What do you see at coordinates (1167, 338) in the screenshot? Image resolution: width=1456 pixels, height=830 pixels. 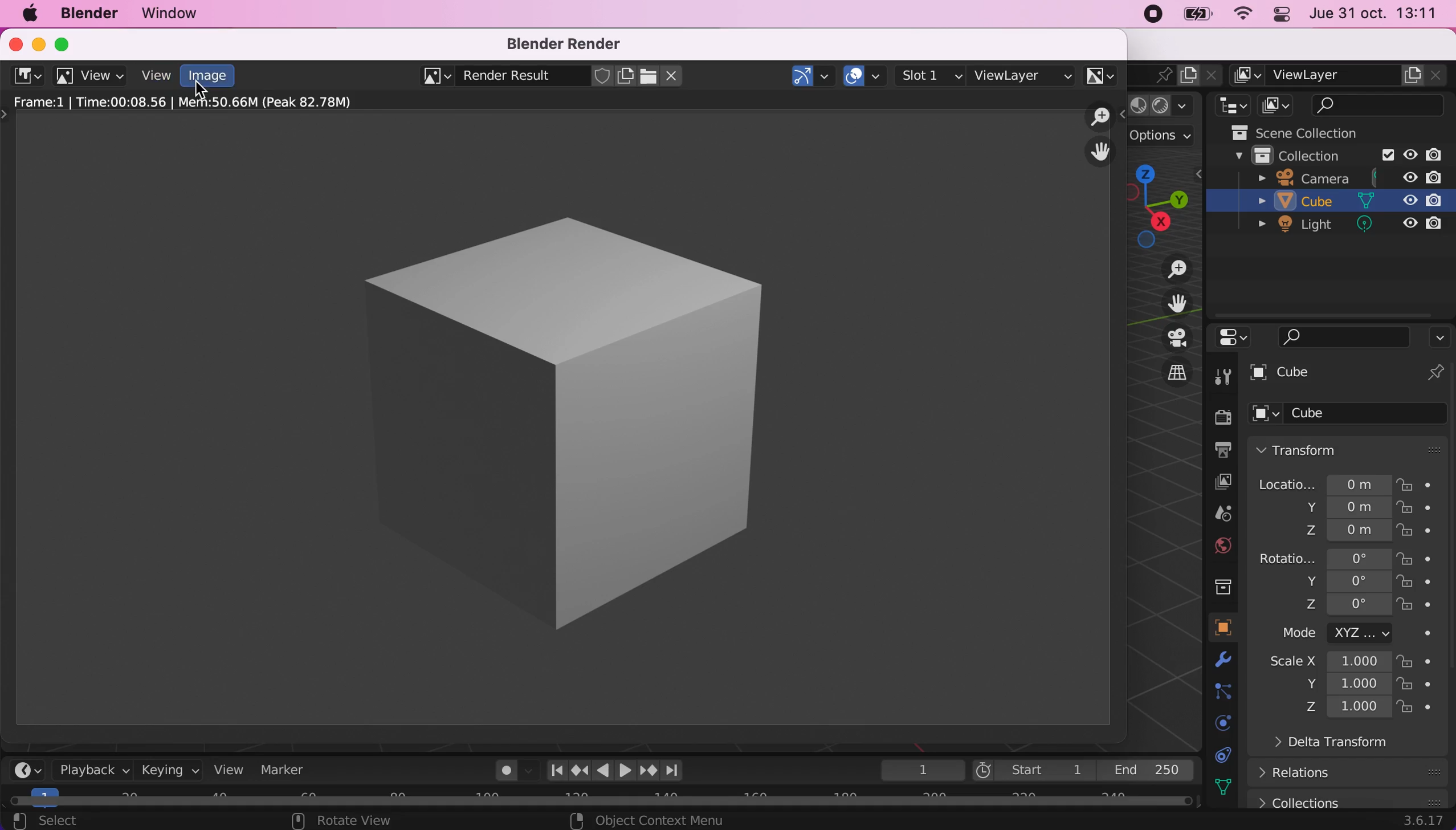 I see `toggle the camera view` at bounding box center [1167, 338].